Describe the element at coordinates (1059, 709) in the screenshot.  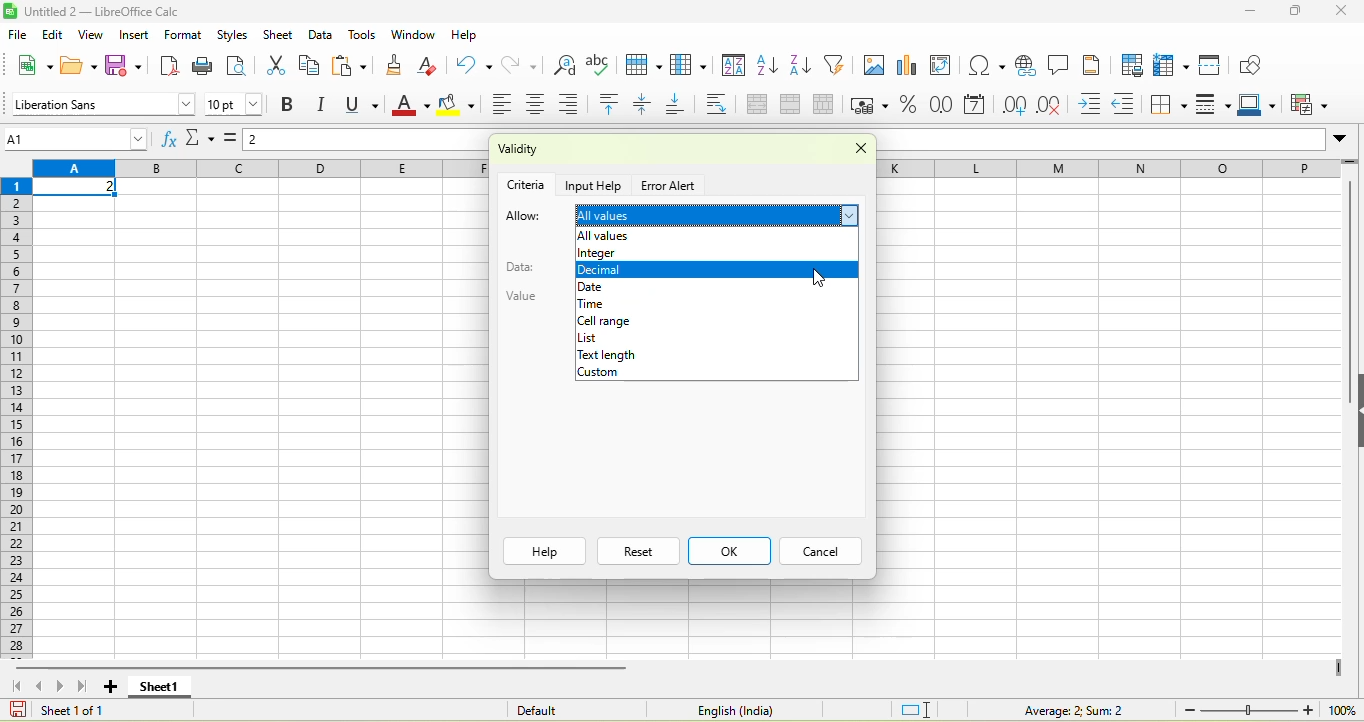
I see `formula` at that location.